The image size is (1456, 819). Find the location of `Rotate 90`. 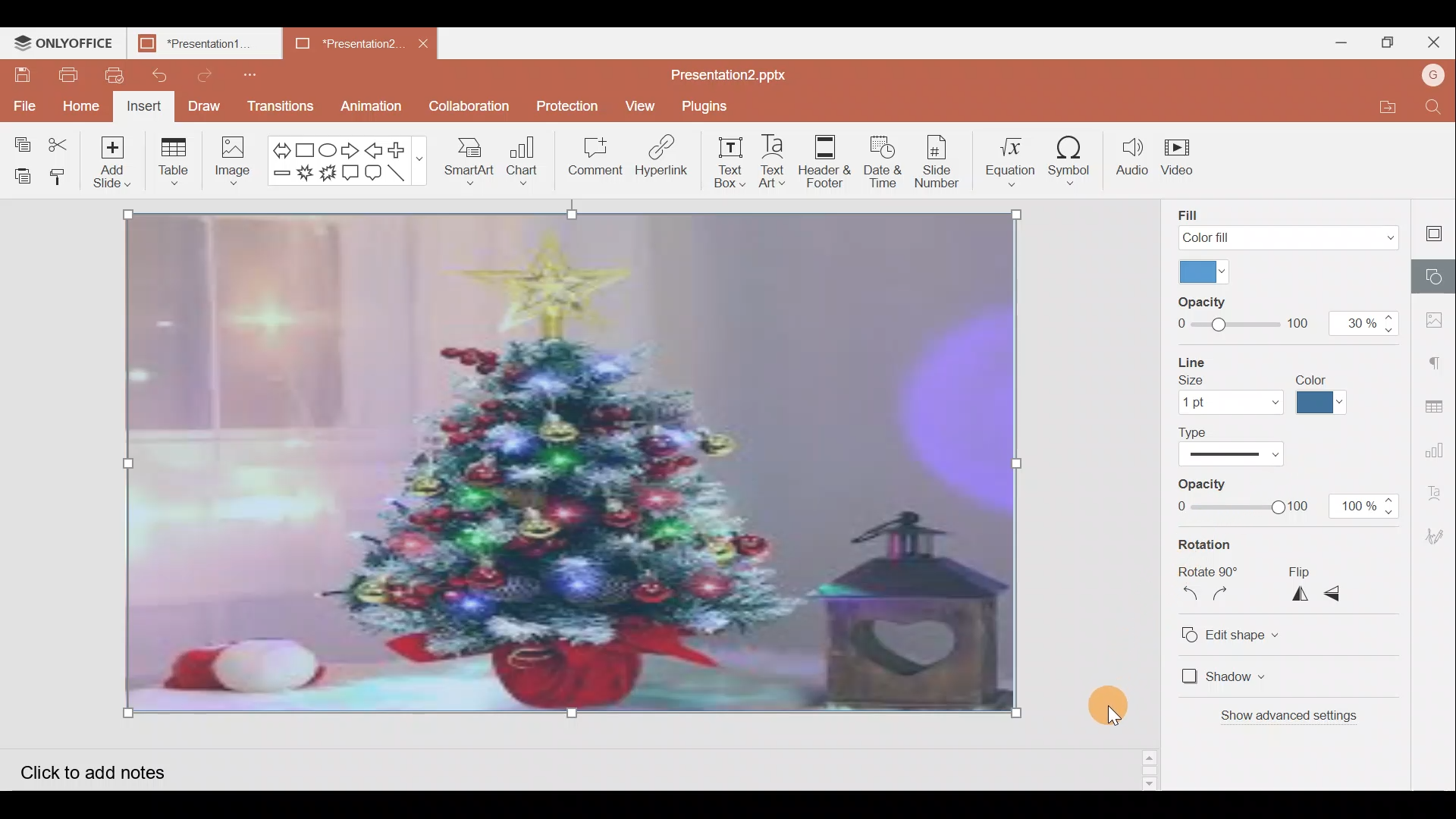

Rotate 90 is located at coordinates (1210, 572).